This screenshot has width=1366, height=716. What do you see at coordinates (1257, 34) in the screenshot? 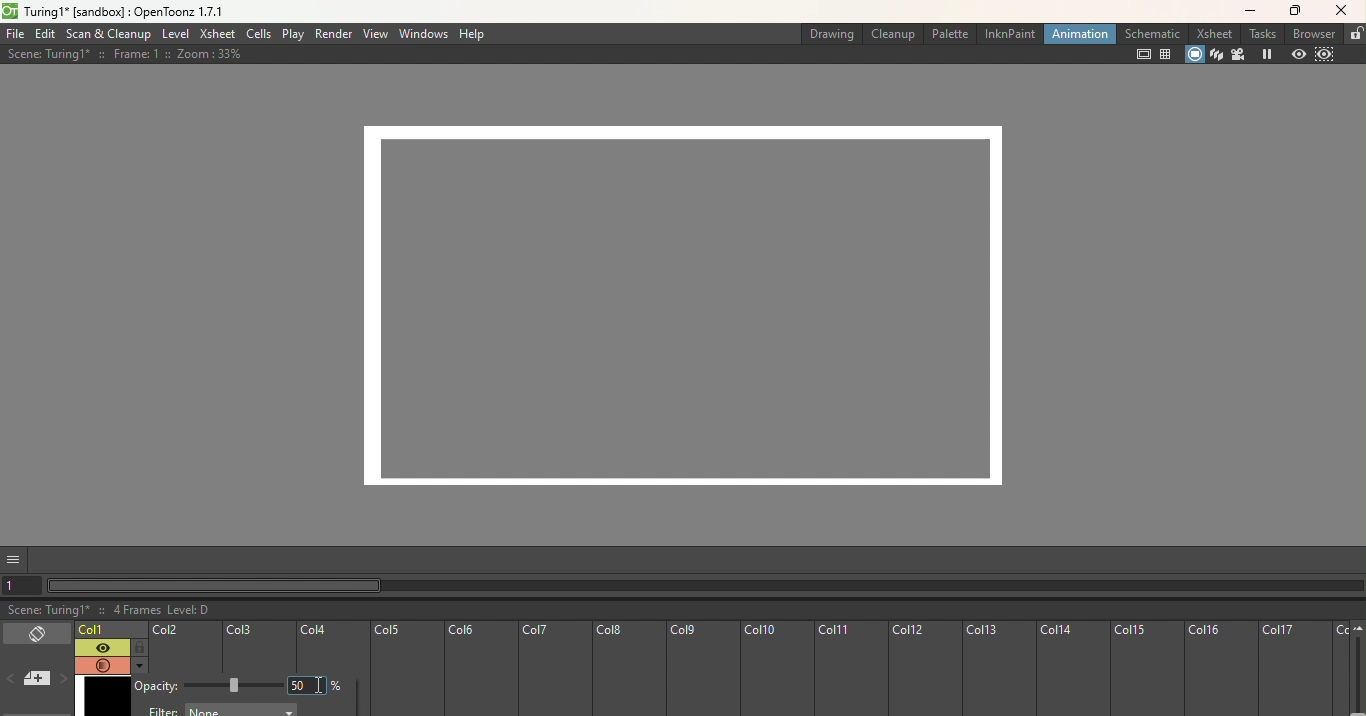
I see `Tasks` at bounding box center [1257, 34].